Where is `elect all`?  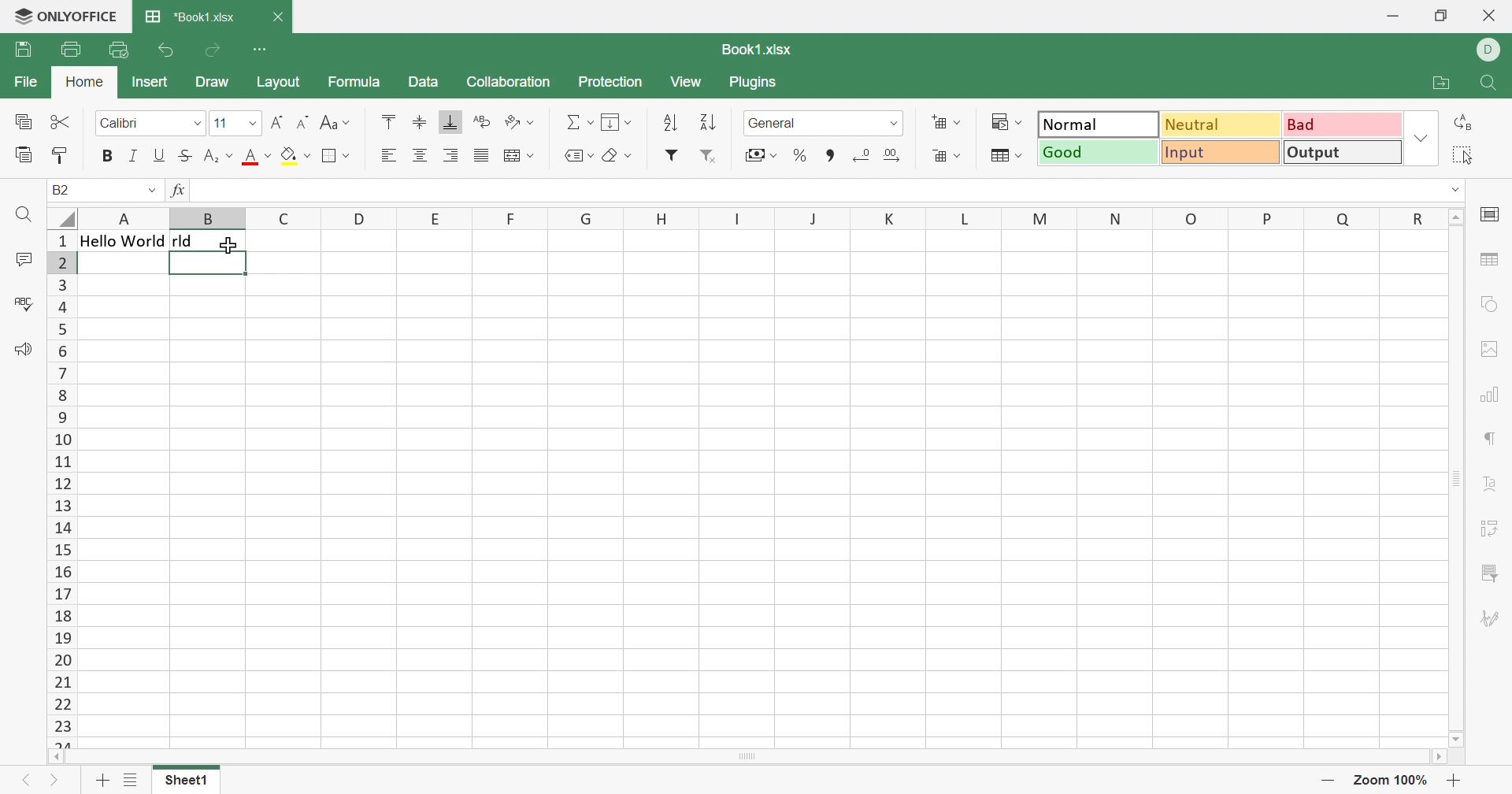
elect all is located at coordinates (1469, 155).